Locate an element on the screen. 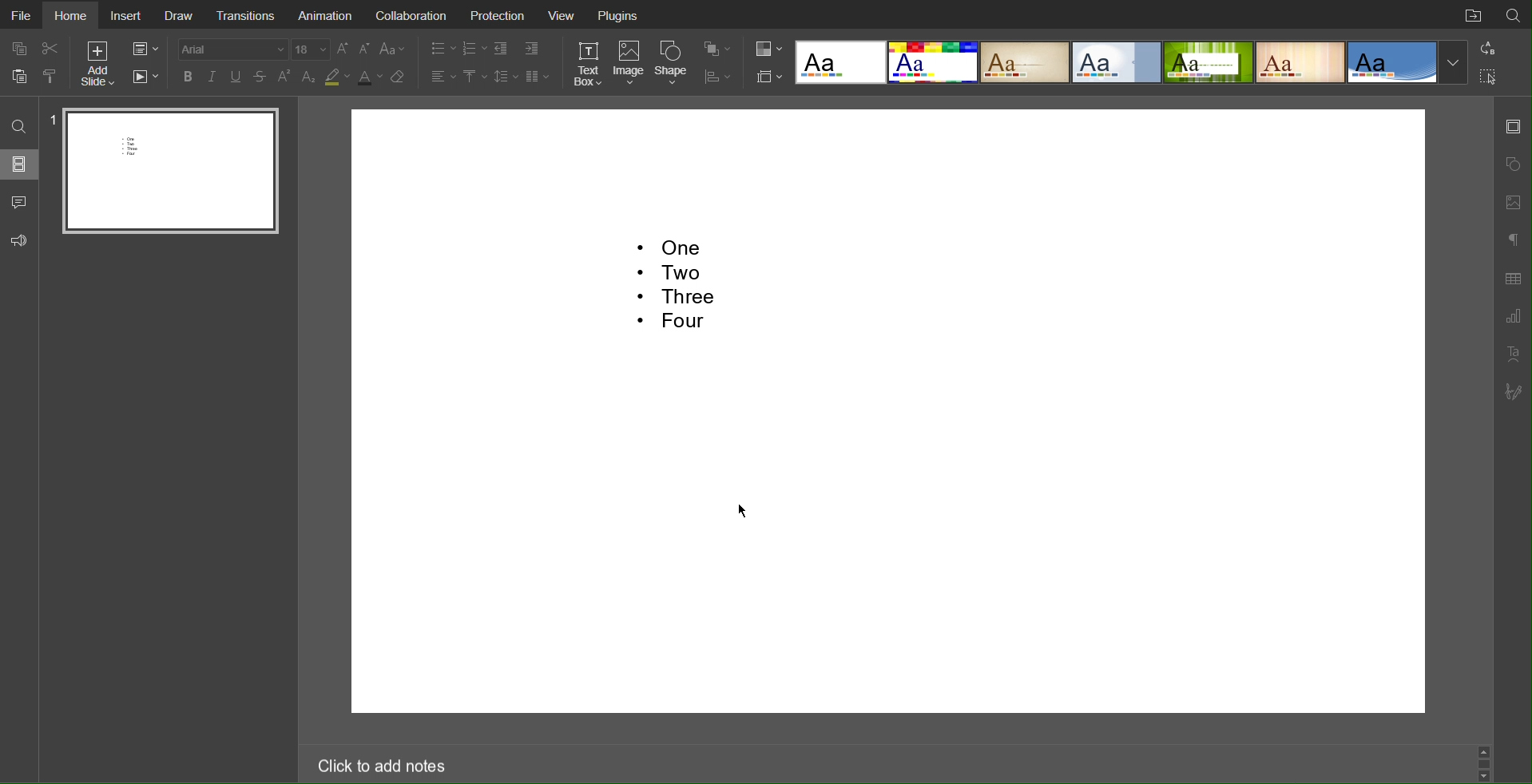 The width and height of the screenshot is (1532, 784). Strikethrough is located at coordinates (261, 77).